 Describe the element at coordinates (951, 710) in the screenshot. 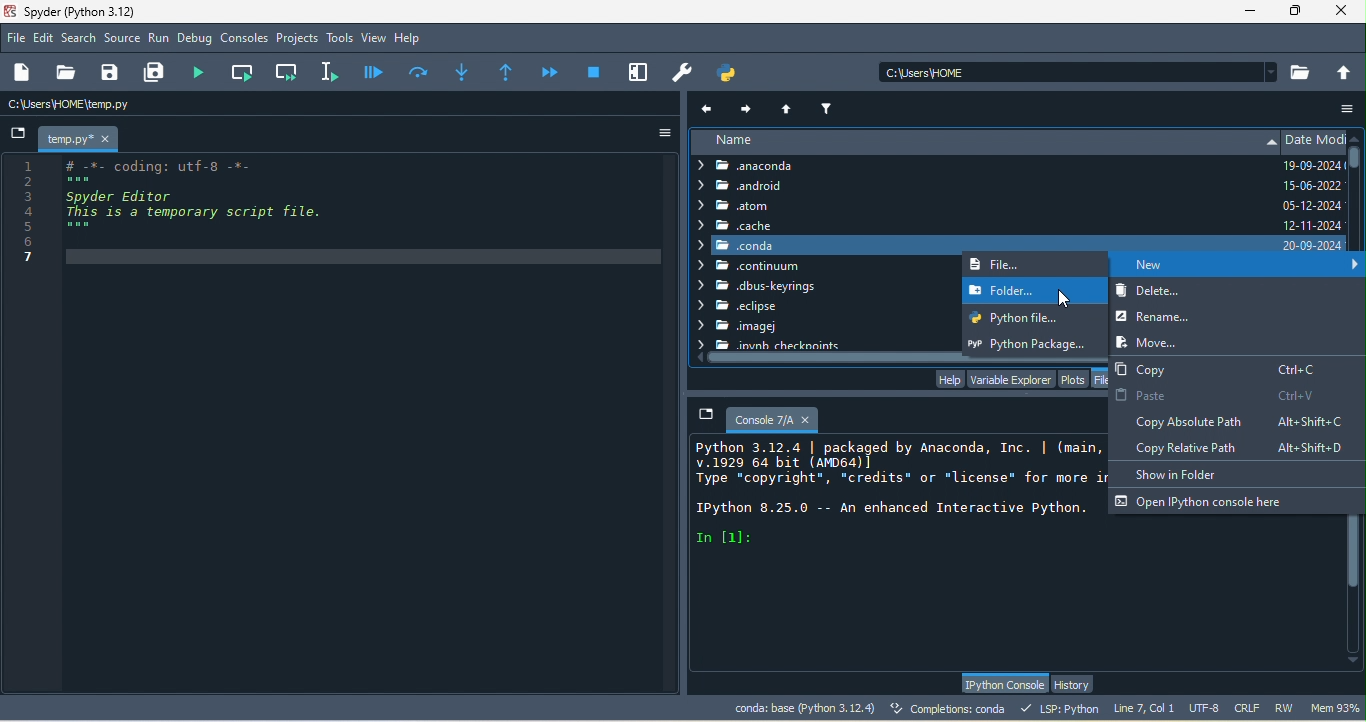

I see `completions conda` at that location.